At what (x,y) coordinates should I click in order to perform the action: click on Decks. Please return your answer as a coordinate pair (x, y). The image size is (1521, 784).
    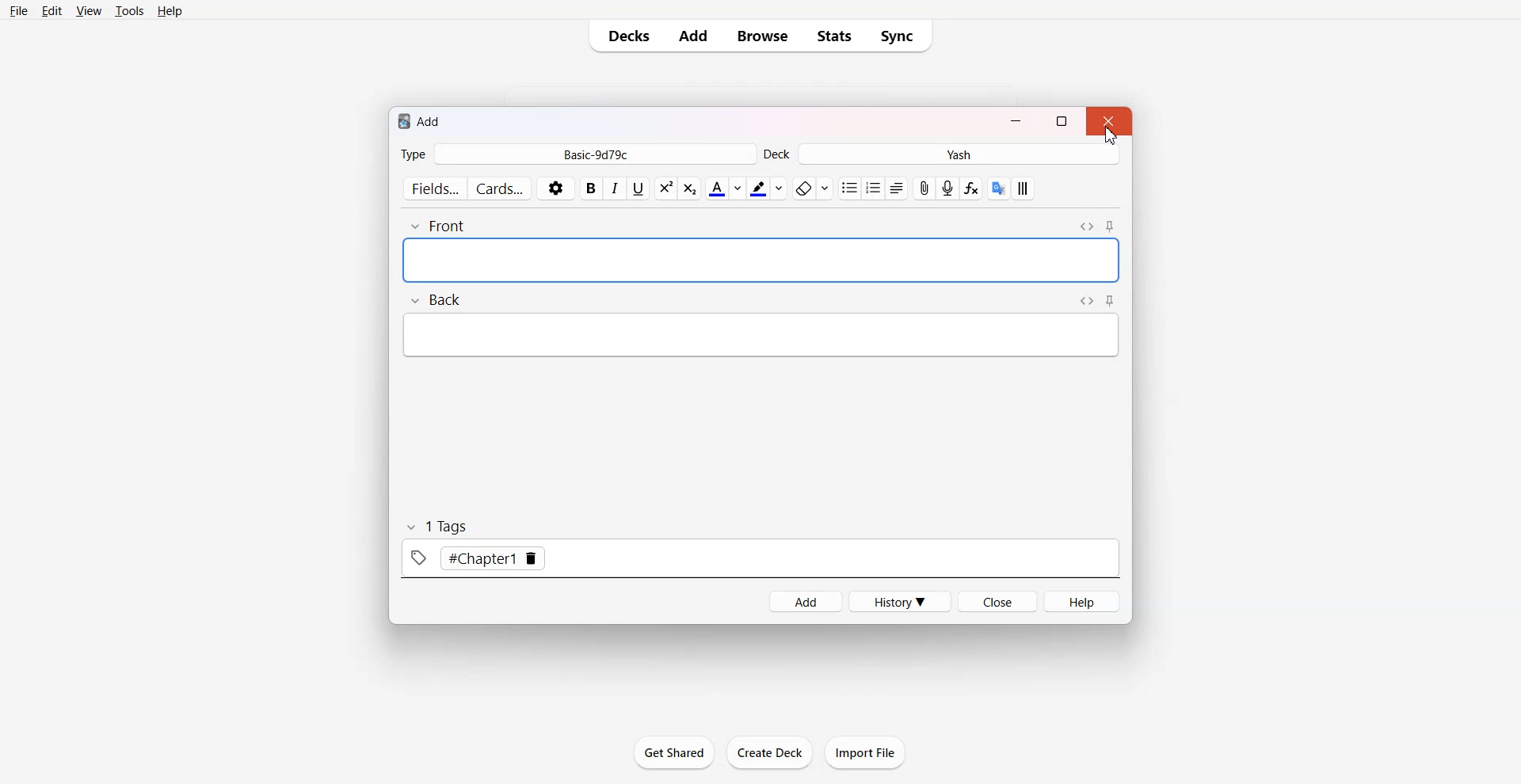
    Looking at the image, I should click on (626, 36).